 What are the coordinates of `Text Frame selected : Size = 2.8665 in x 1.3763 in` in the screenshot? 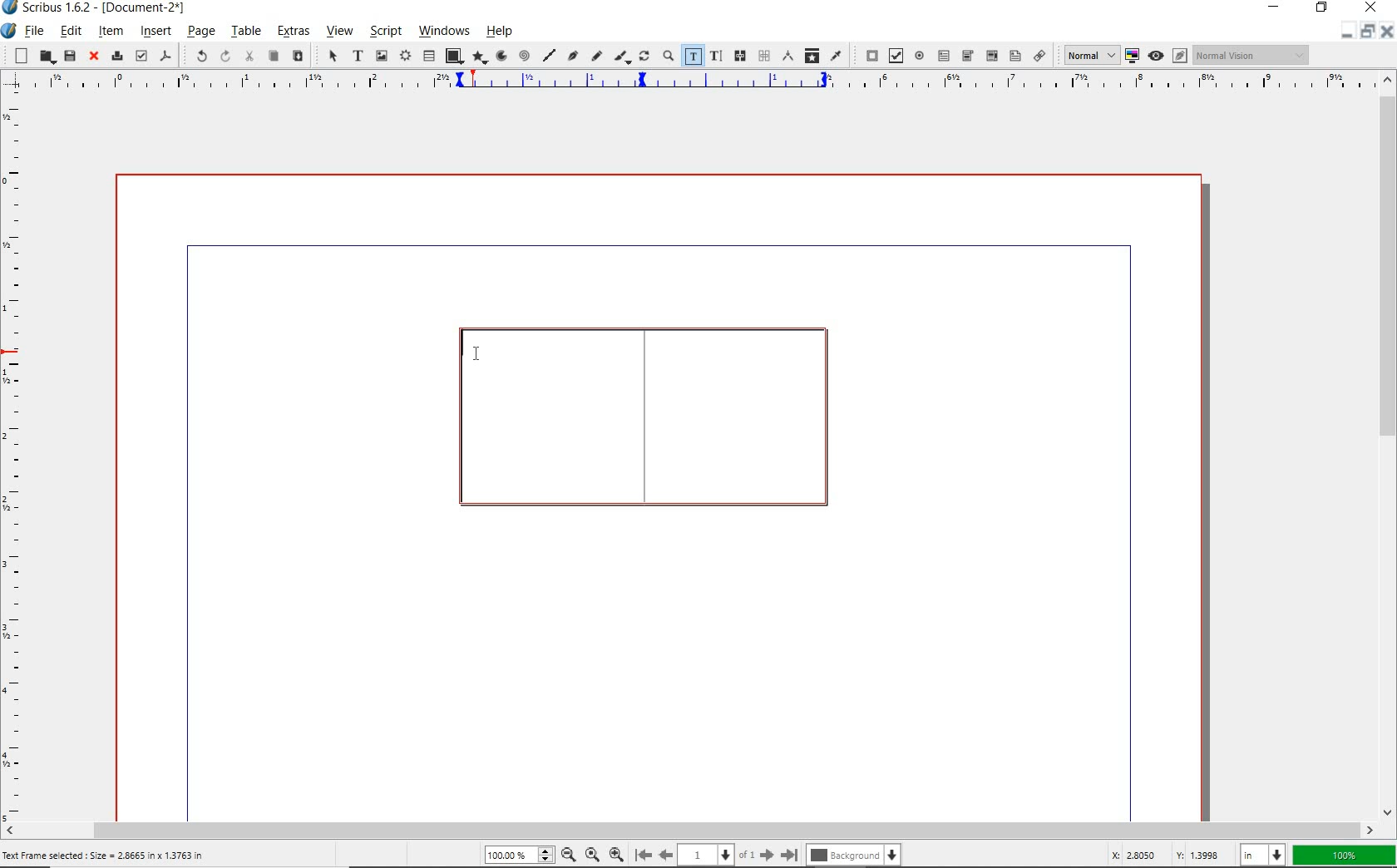 It's located at (109, 856).